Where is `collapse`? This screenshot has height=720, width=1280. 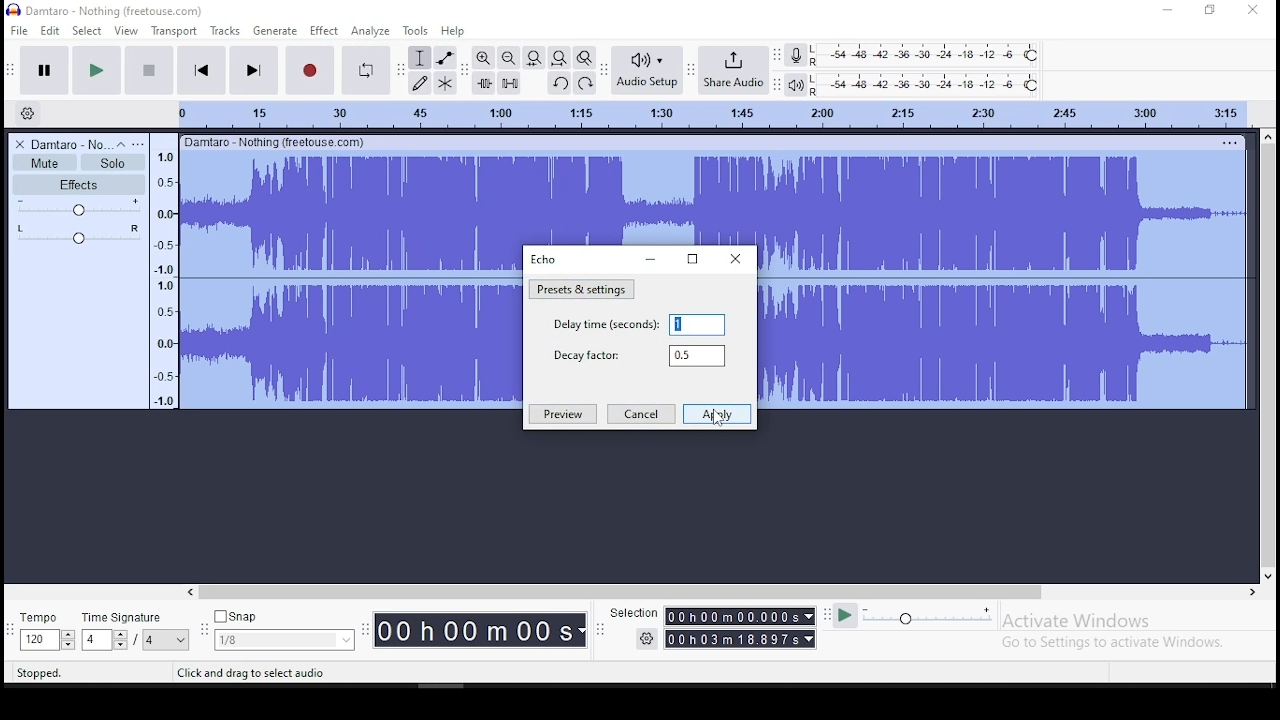 collapse is located at coordinates (123, 143).